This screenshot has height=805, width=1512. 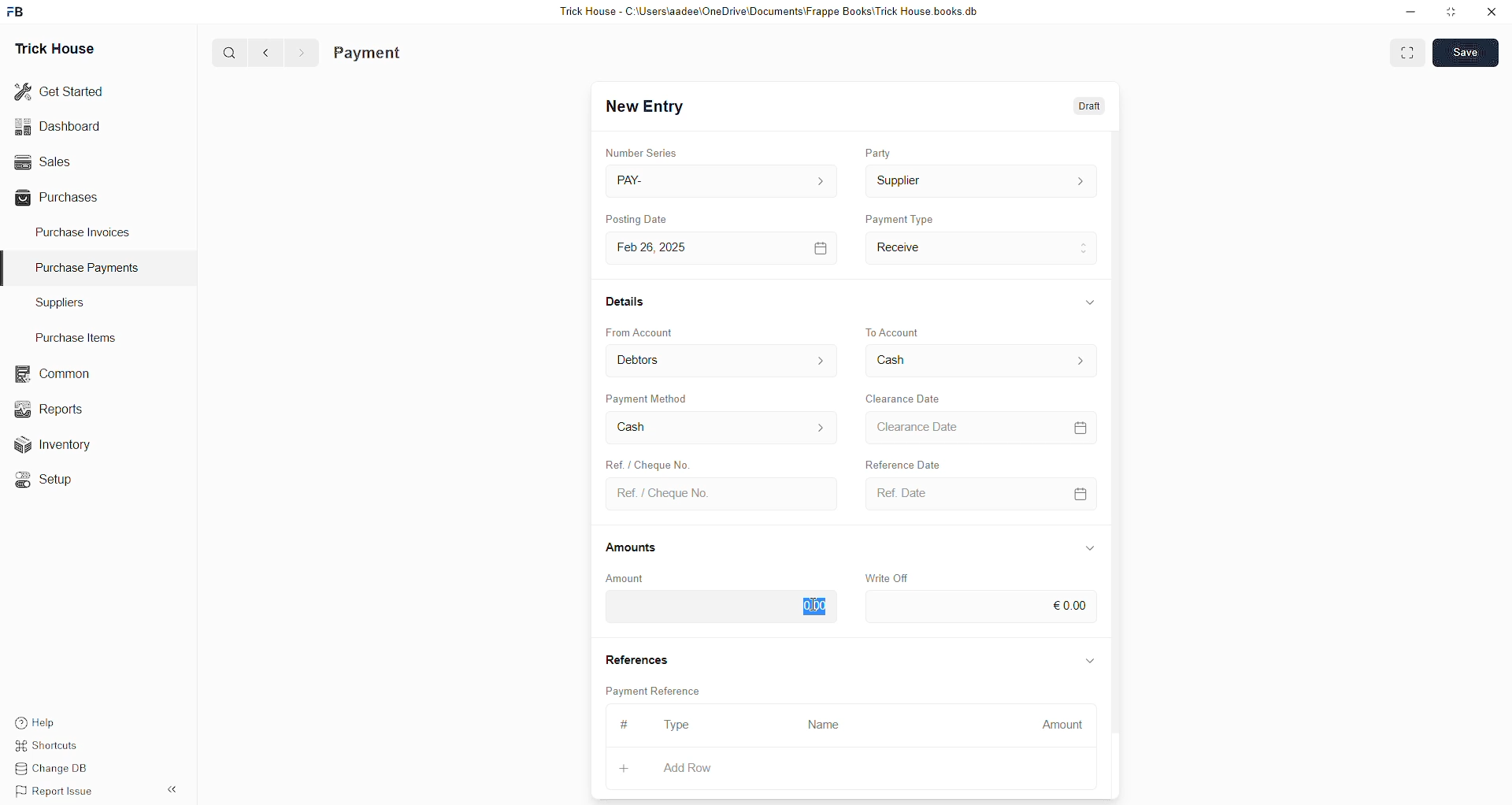 What do you see at coordinates (50, 408) in the screenshot?
I see `Reports` at bounding box center [50, 408].